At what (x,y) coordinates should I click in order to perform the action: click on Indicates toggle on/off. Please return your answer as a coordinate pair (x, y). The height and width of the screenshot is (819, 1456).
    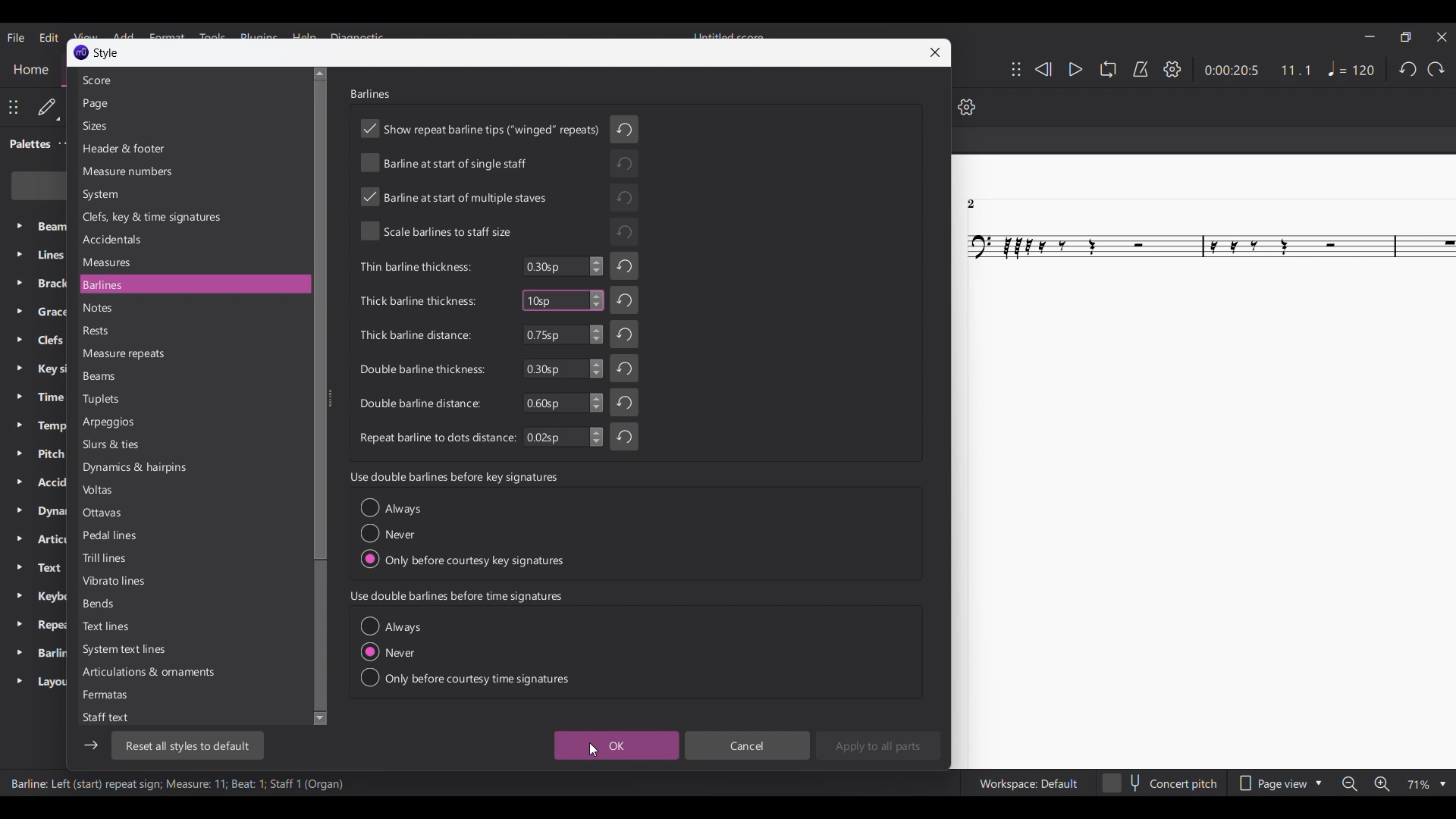
    Looking at the image, I should click on (482, 181).